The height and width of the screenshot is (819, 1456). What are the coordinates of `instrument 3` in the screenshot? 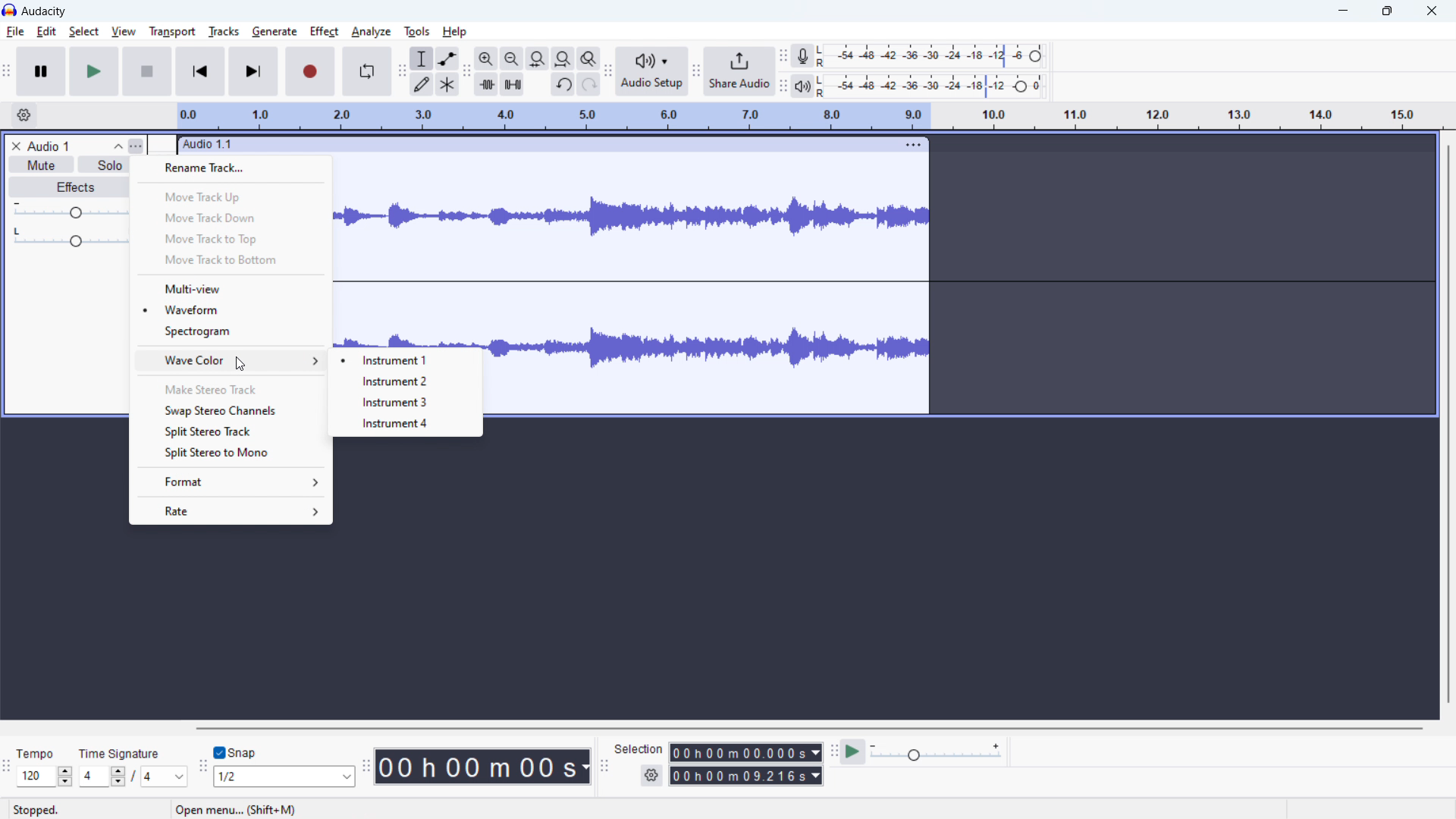 It's located at (405, 403).